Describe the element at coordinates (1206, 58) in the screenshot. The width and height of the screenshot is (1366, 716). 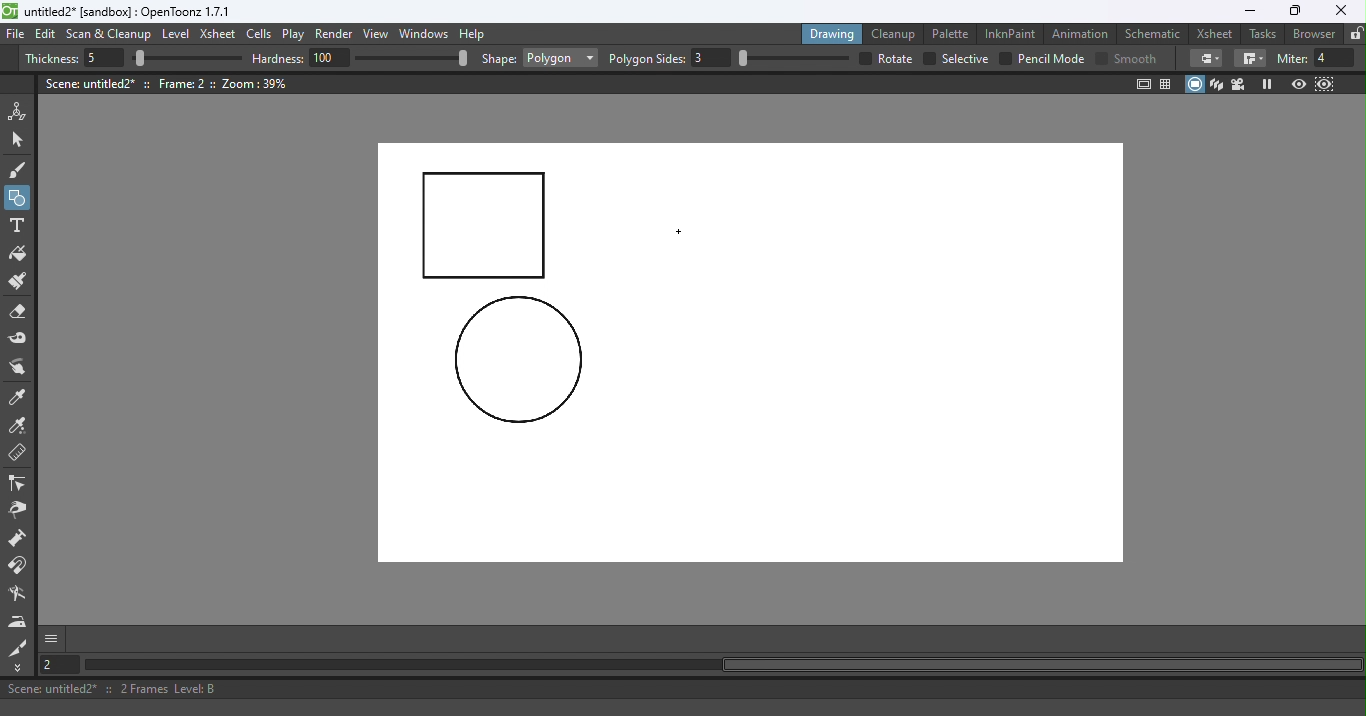
I see `Border corners` at that location.